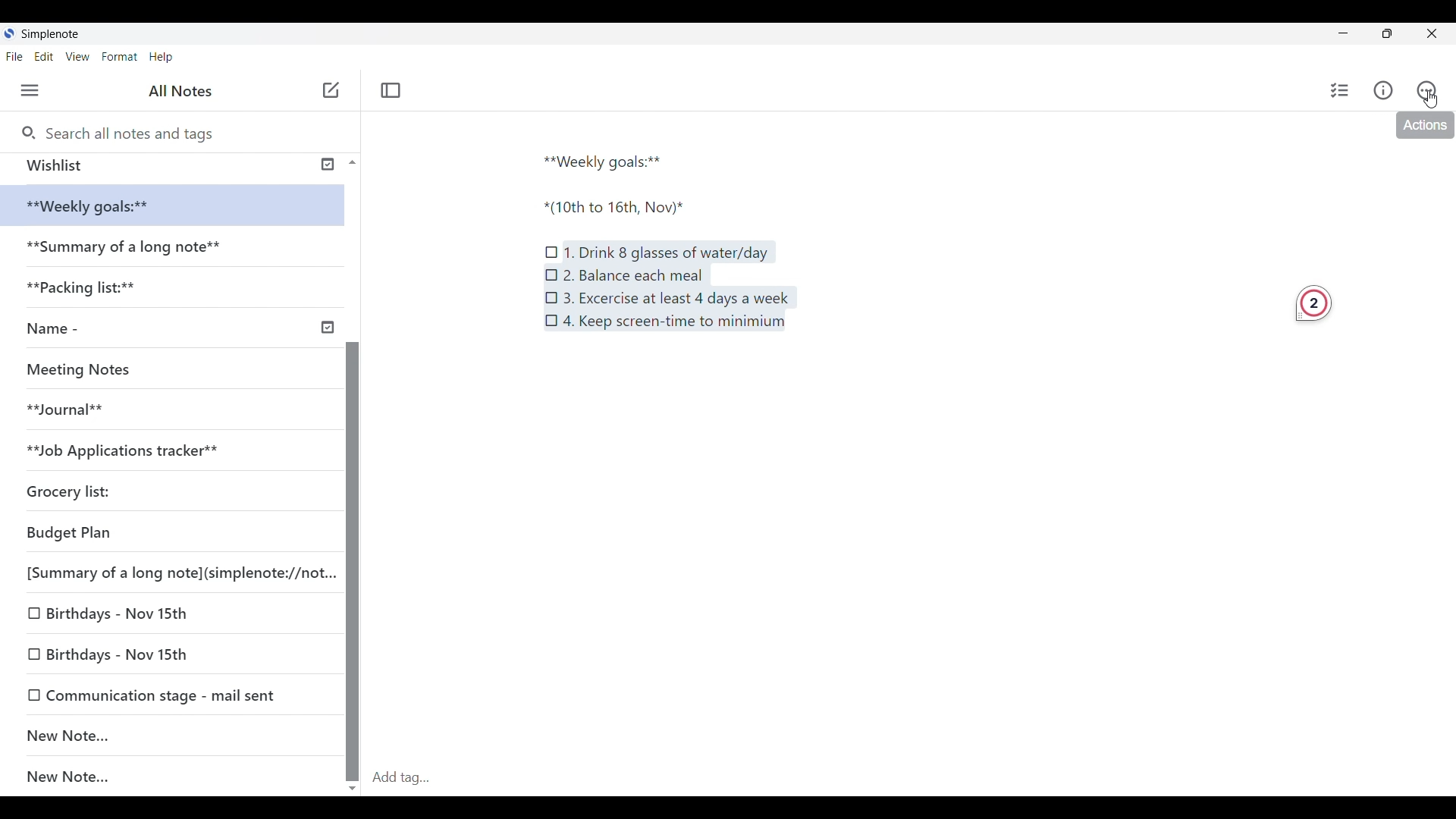 The height and width of the screenshot is (819, 1456). Describe the element at coordinates (172, 695) in the screenshot. I see `Communication stage - mail sent` at that location.